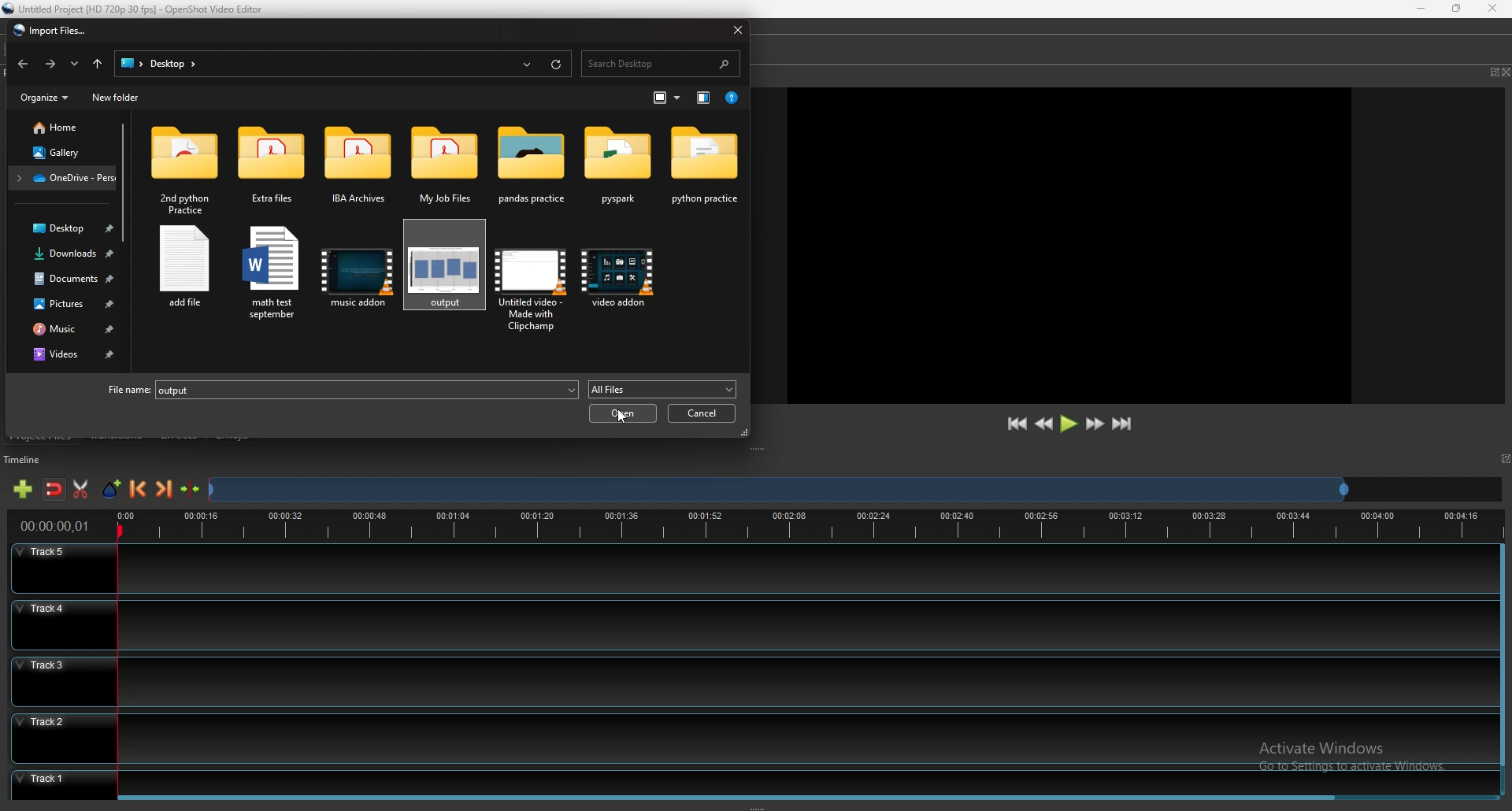  I want to click on rewind, so click(1045, 424).